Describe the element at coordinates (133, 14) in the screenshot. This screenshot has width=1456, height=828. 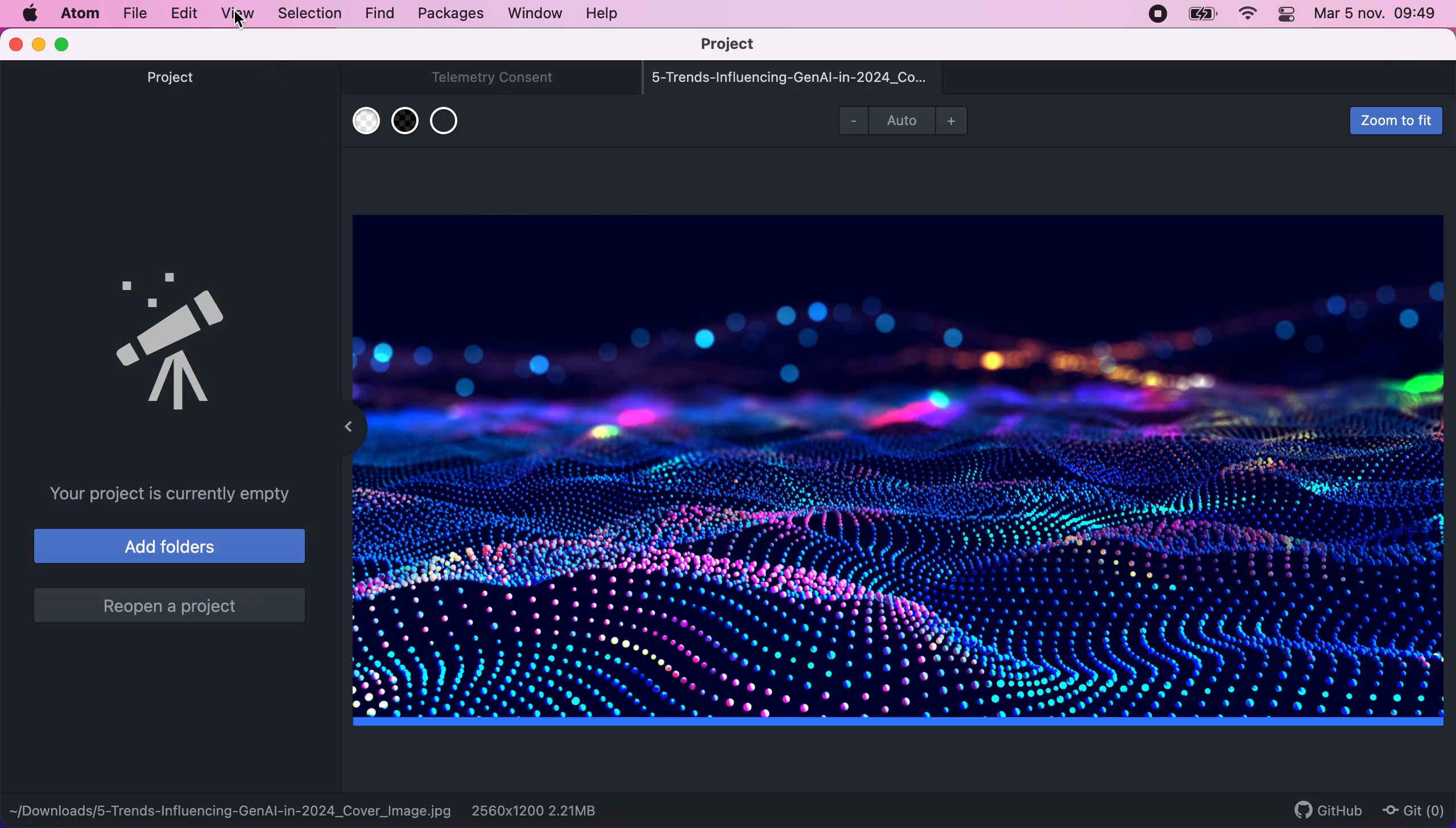
I see `file` at that location.